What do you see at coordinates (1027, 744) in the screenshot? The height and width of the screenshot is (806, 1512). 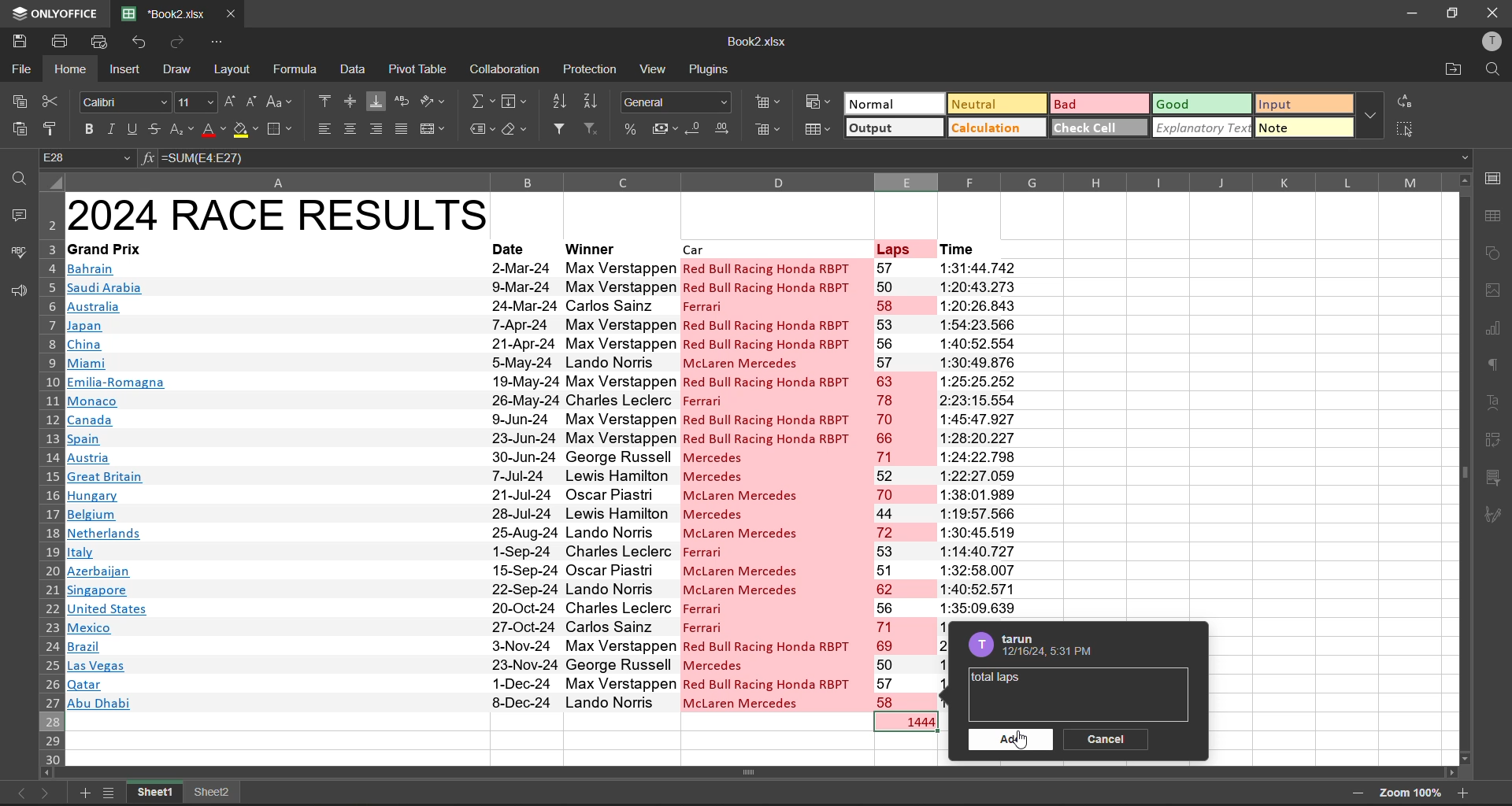 I see `cursor` at bounding box center [1027, 744].